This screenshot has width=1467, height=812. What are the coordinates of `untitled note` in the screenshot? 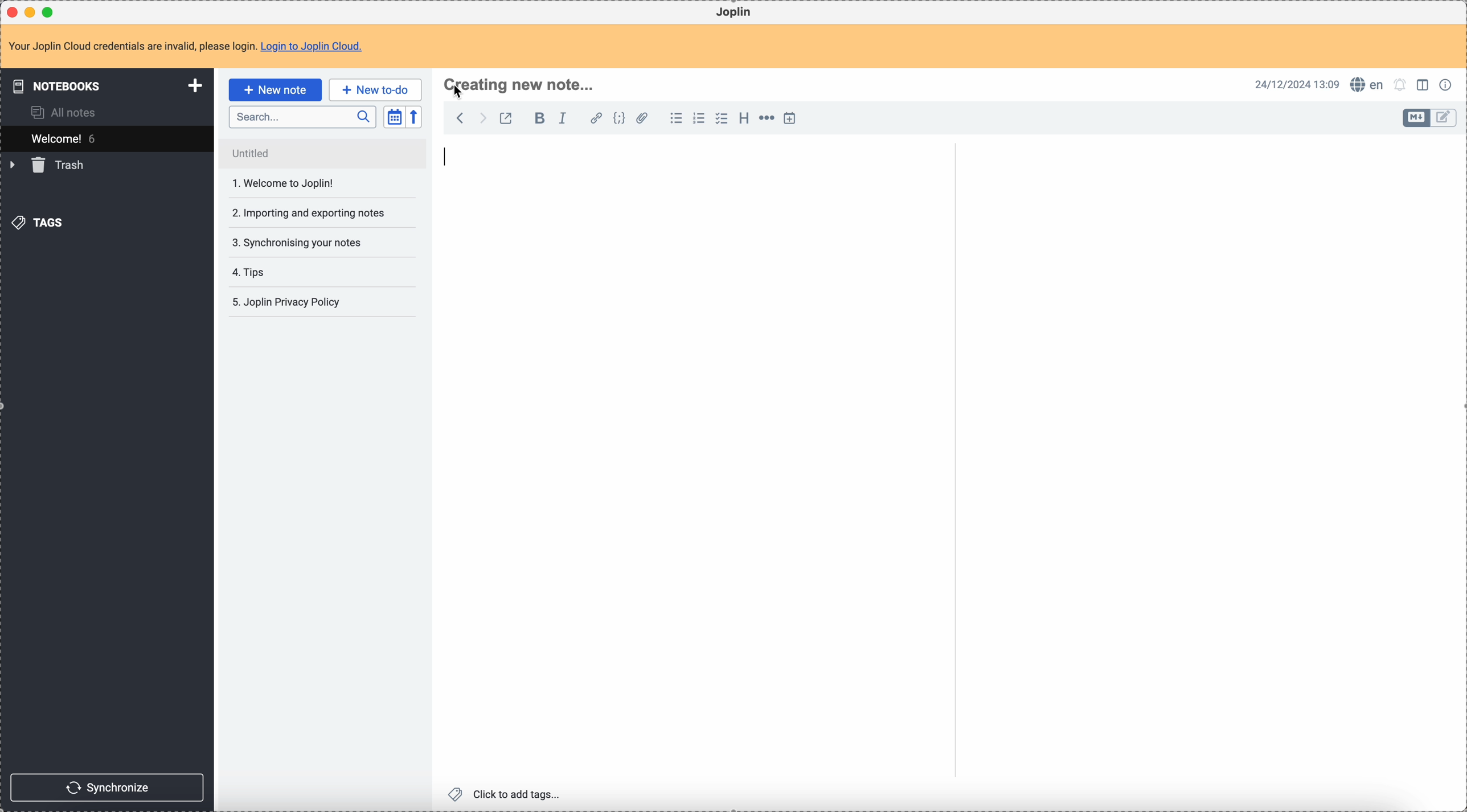 It's located at (323, 153).